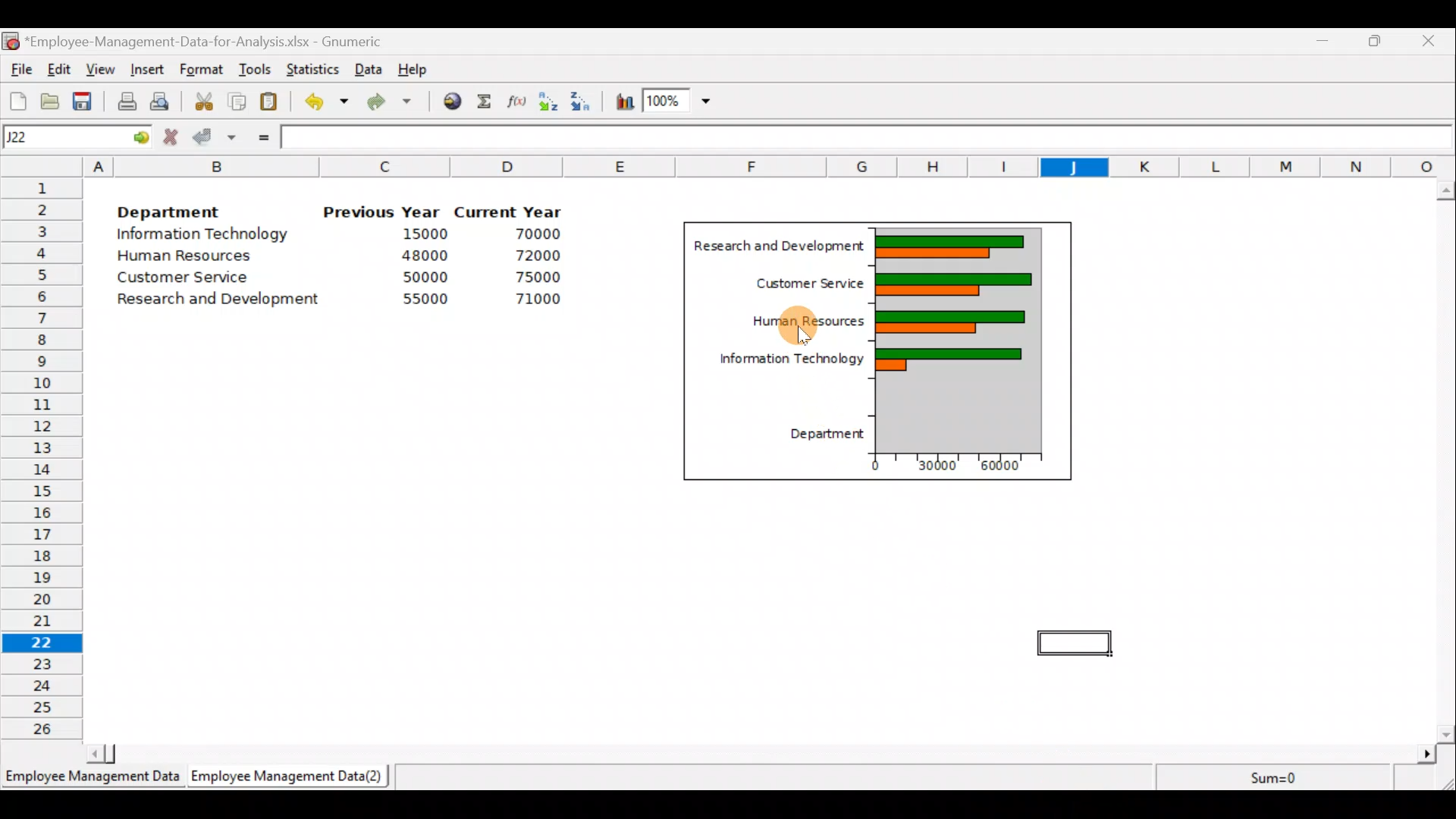  Describe the element at coordinates (49, 99) in the screenshot. I see `Open a file` at that location.